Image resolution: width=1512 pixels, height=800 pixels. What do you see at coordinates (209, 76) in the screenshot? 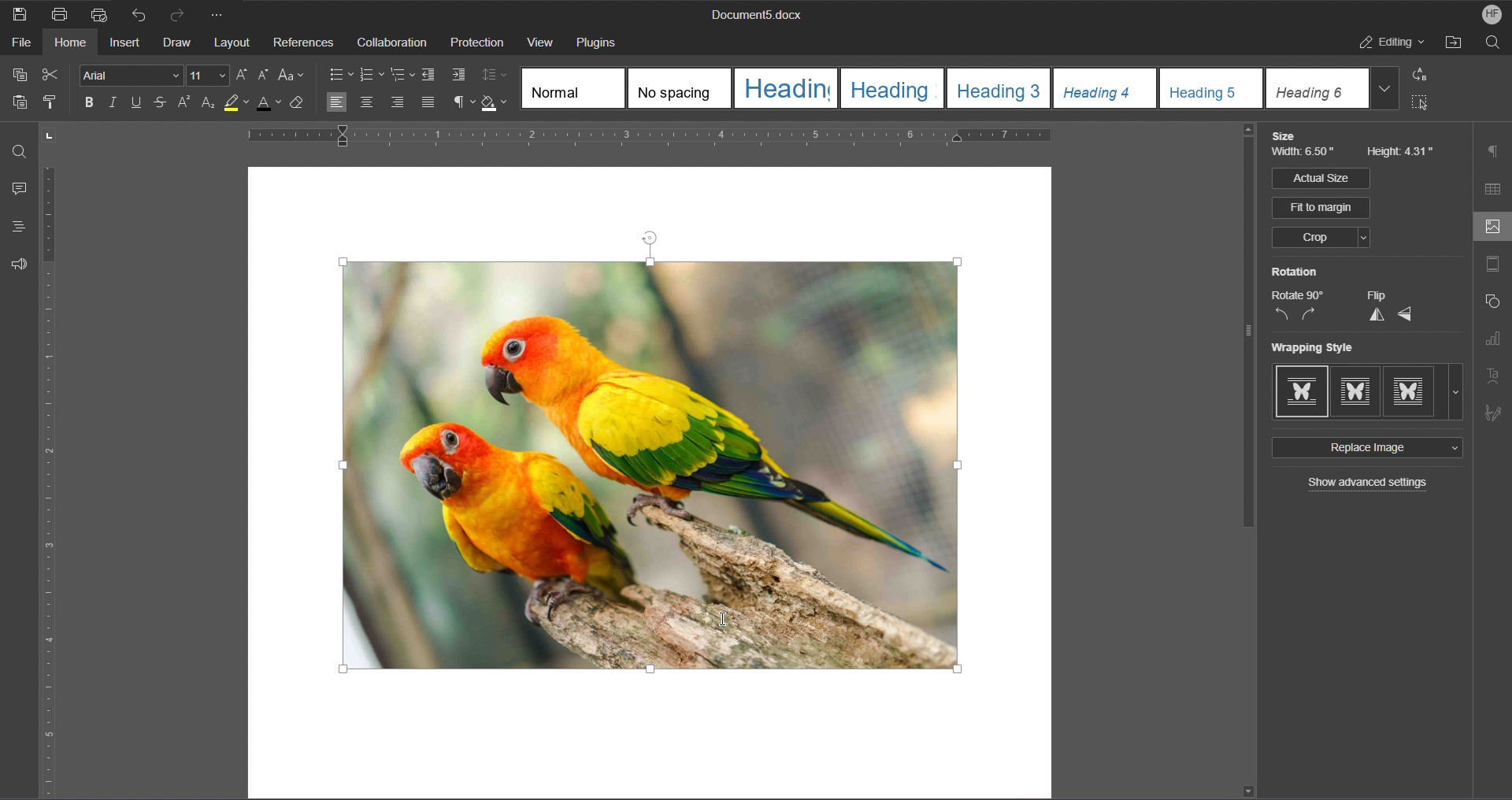
I see `Font size` at bounding box center [209, 76].